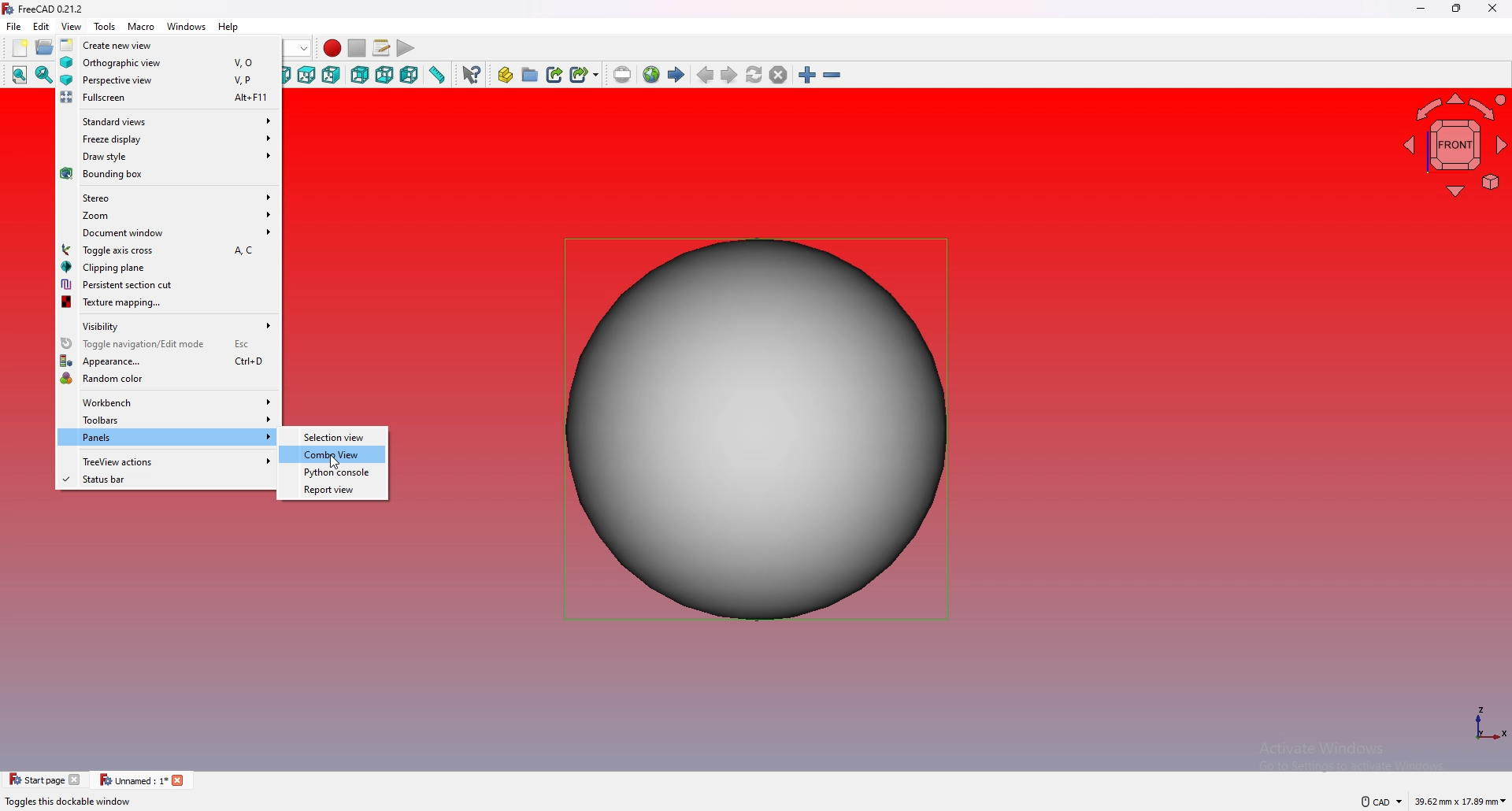  Describe the element at coordinates (729, 75) in the screenshot. I see `next page` at that location.